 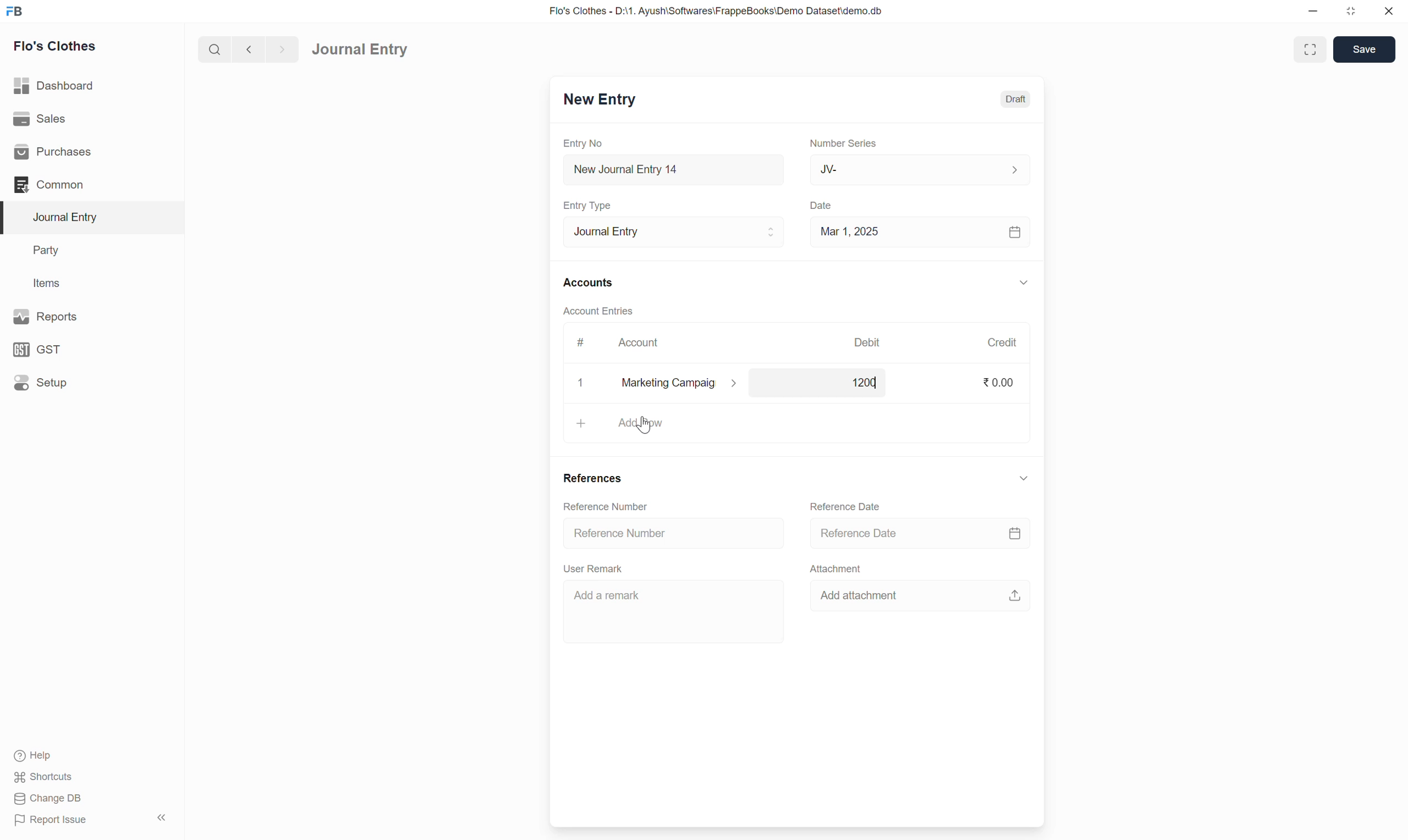 What do you see at coordinates (646, 170) in the screenshot?
I see `New Journal Entry 14` at bounding box center [646, 170].